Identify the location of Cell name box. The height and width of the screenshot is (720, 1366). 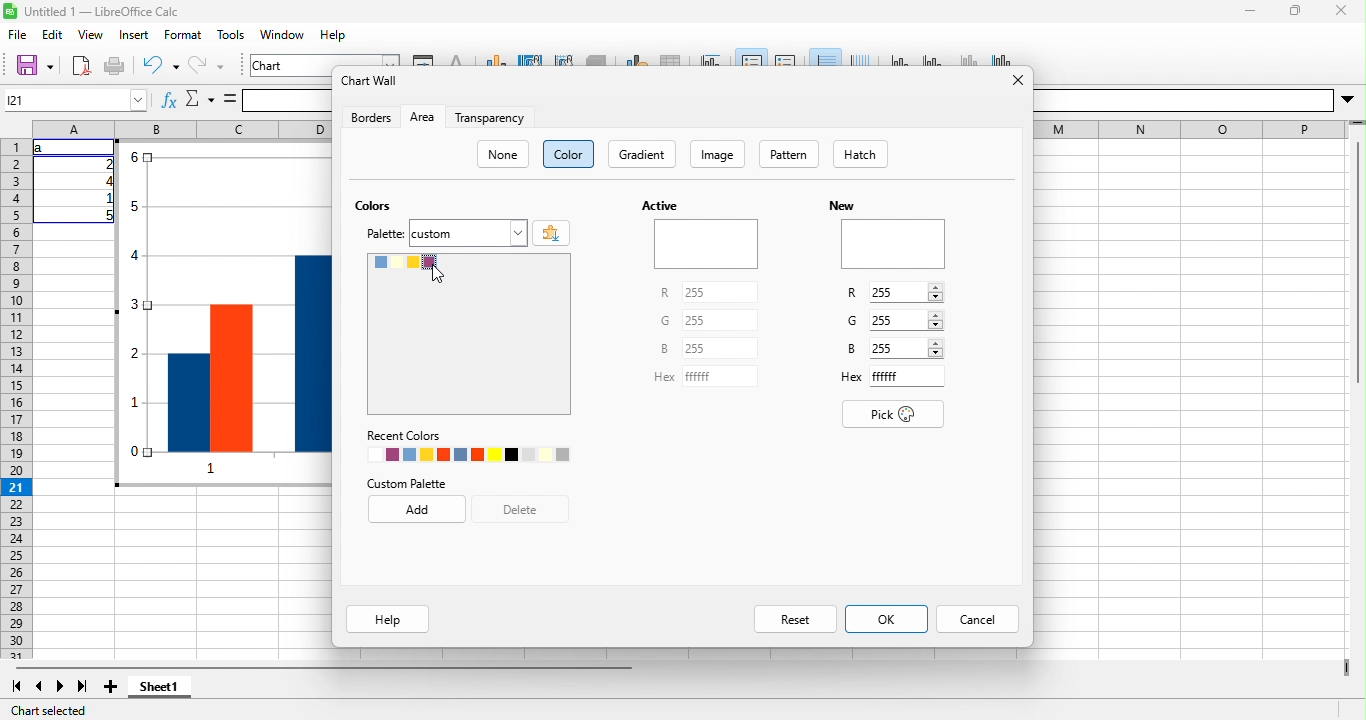
(76, 100).